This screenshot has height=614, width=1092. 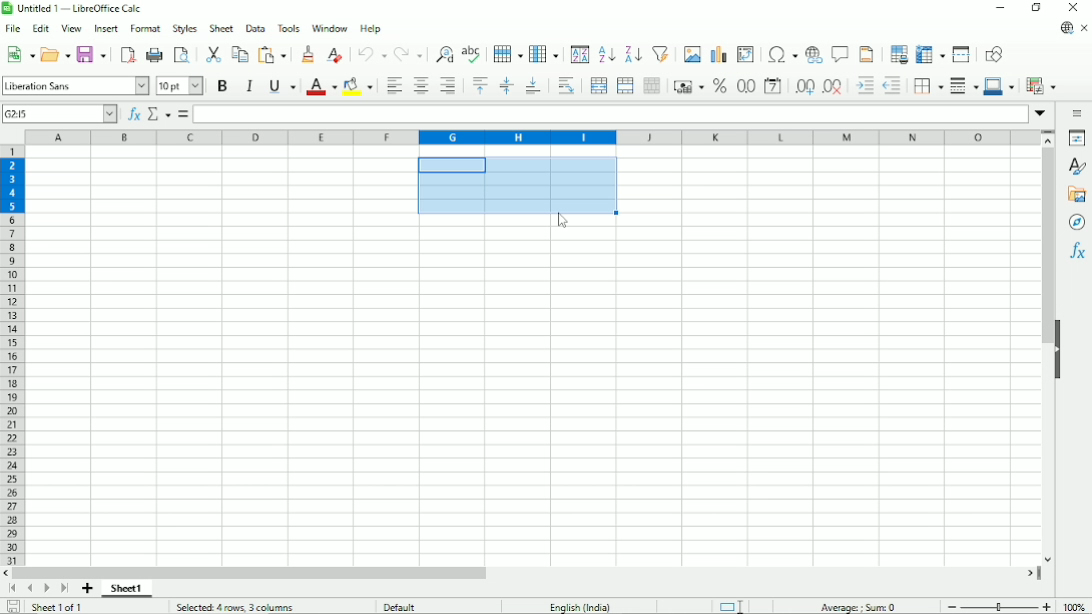 What do you see at coordinates (370, 54) in the screenshot?
I see `undo` at bounding box center [370, 54].